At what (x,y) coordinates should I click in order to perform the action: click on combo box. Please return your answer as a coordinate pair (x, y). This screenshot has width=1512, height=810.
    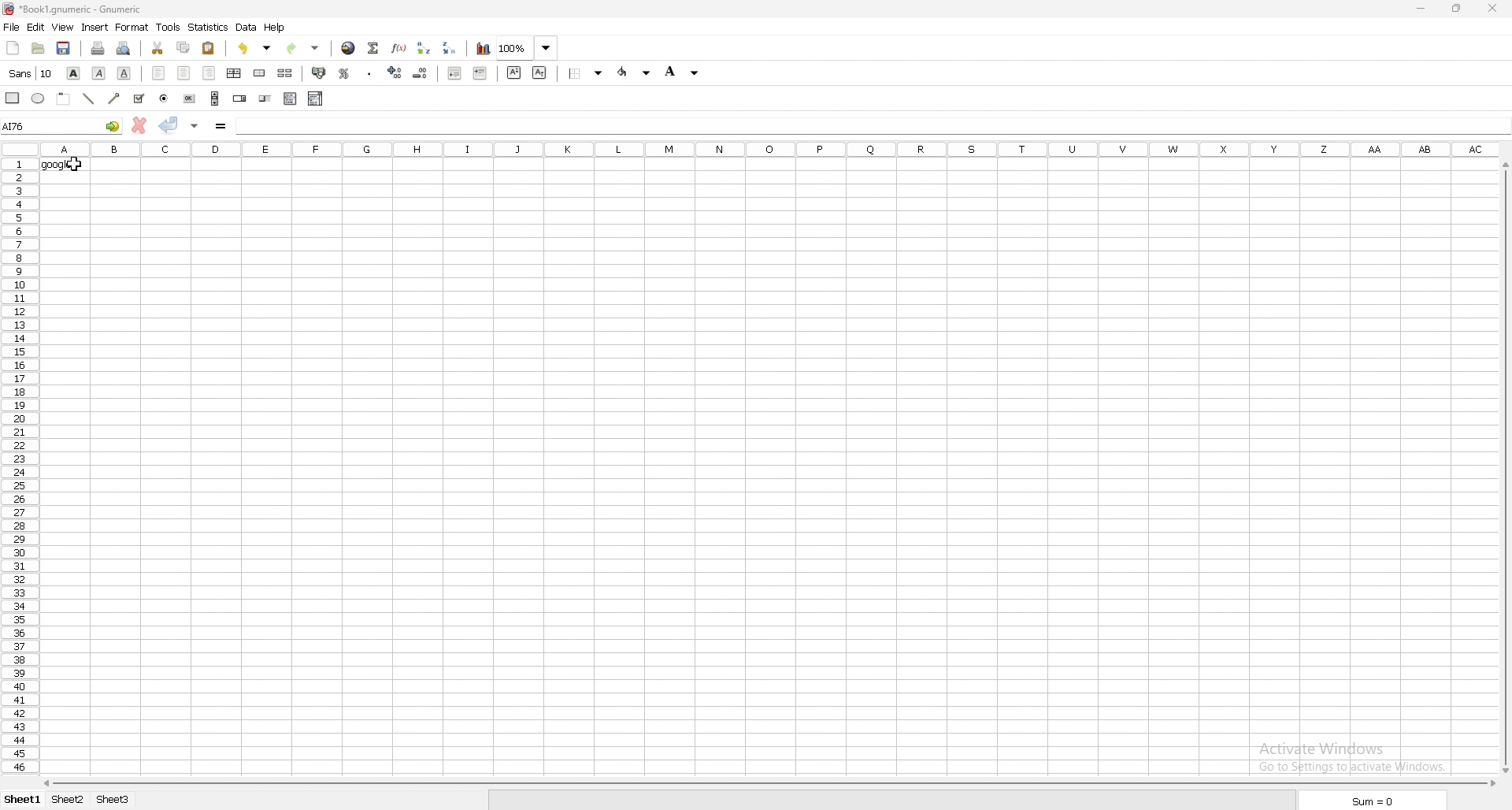
    Looking at the image, I should click on (315, 98).